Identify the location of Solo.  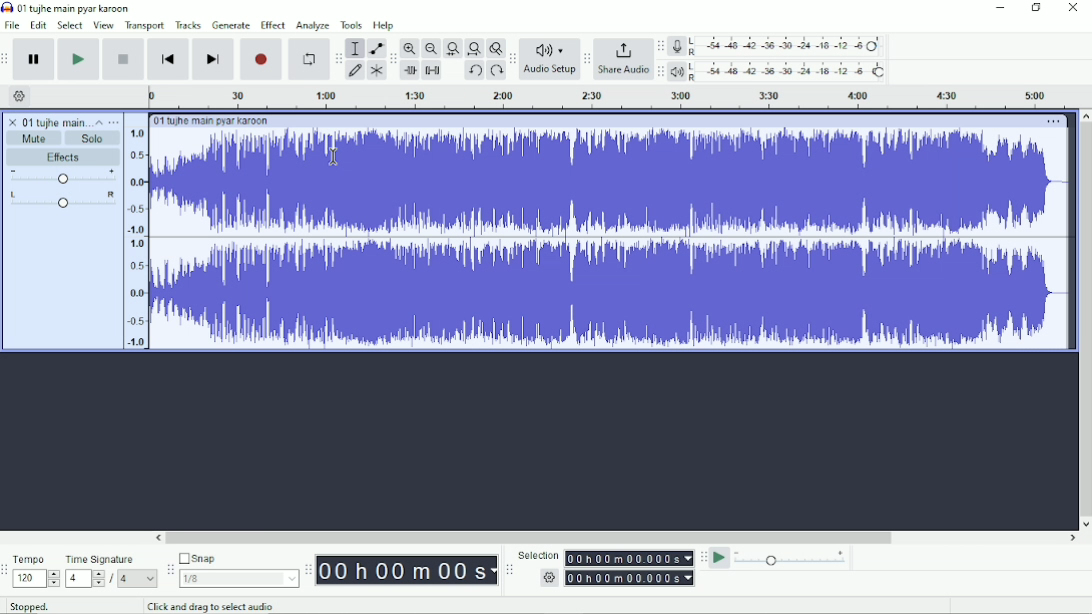
(95, 137).